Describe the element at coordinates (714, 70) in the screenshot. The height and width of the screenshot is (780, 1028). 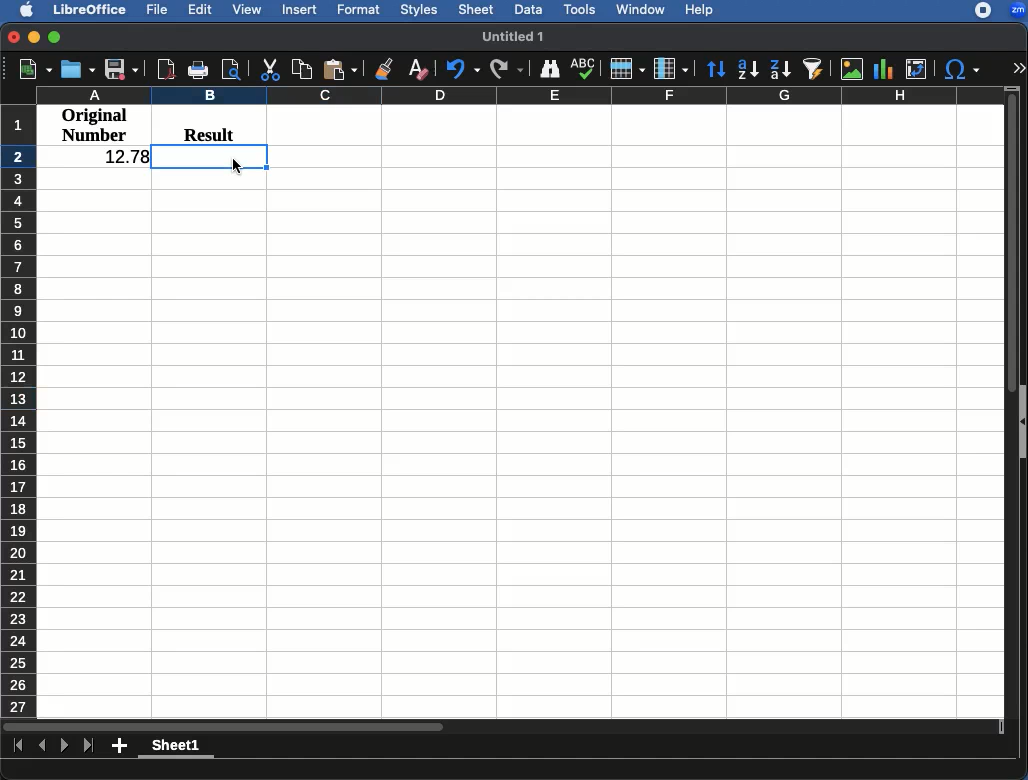
I see `Sort` at that location.